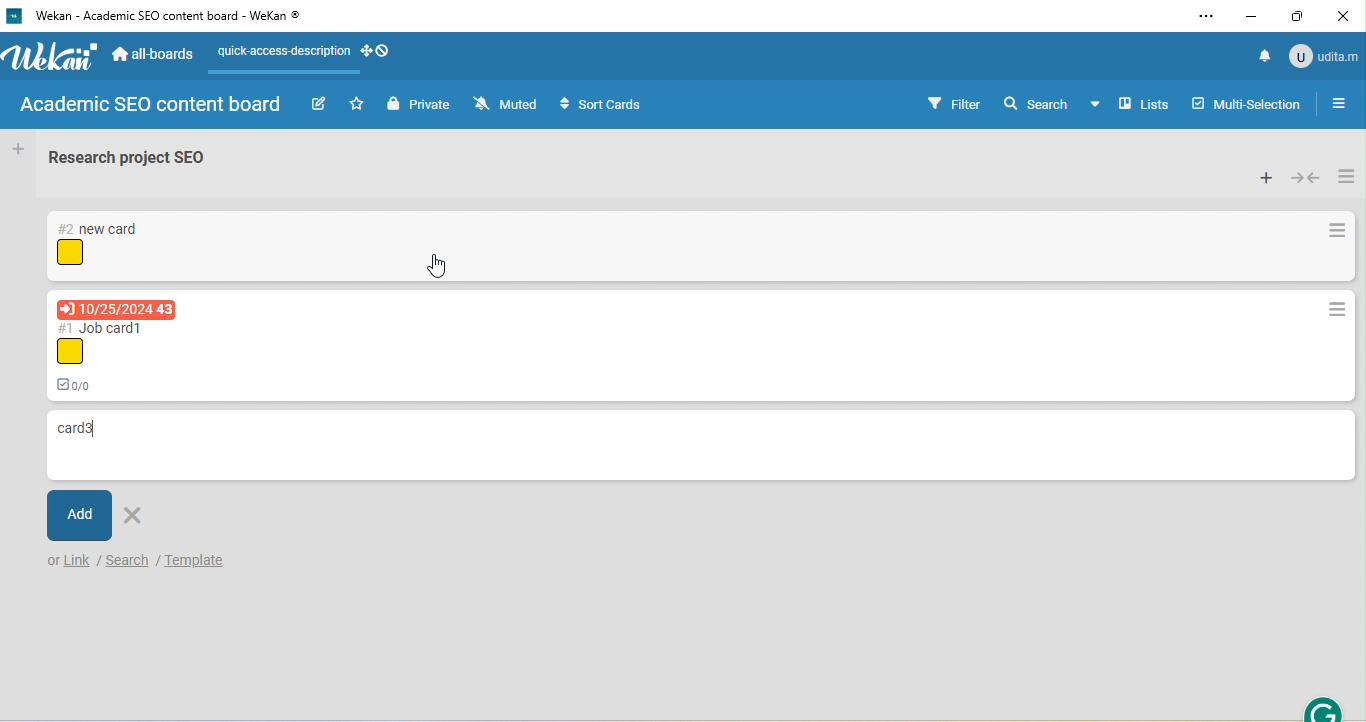 The width and height of the screenshot is (1366, 722). Describe the element at coordinates (1260, 55) in the screenshot. I see `notifications` at that location.